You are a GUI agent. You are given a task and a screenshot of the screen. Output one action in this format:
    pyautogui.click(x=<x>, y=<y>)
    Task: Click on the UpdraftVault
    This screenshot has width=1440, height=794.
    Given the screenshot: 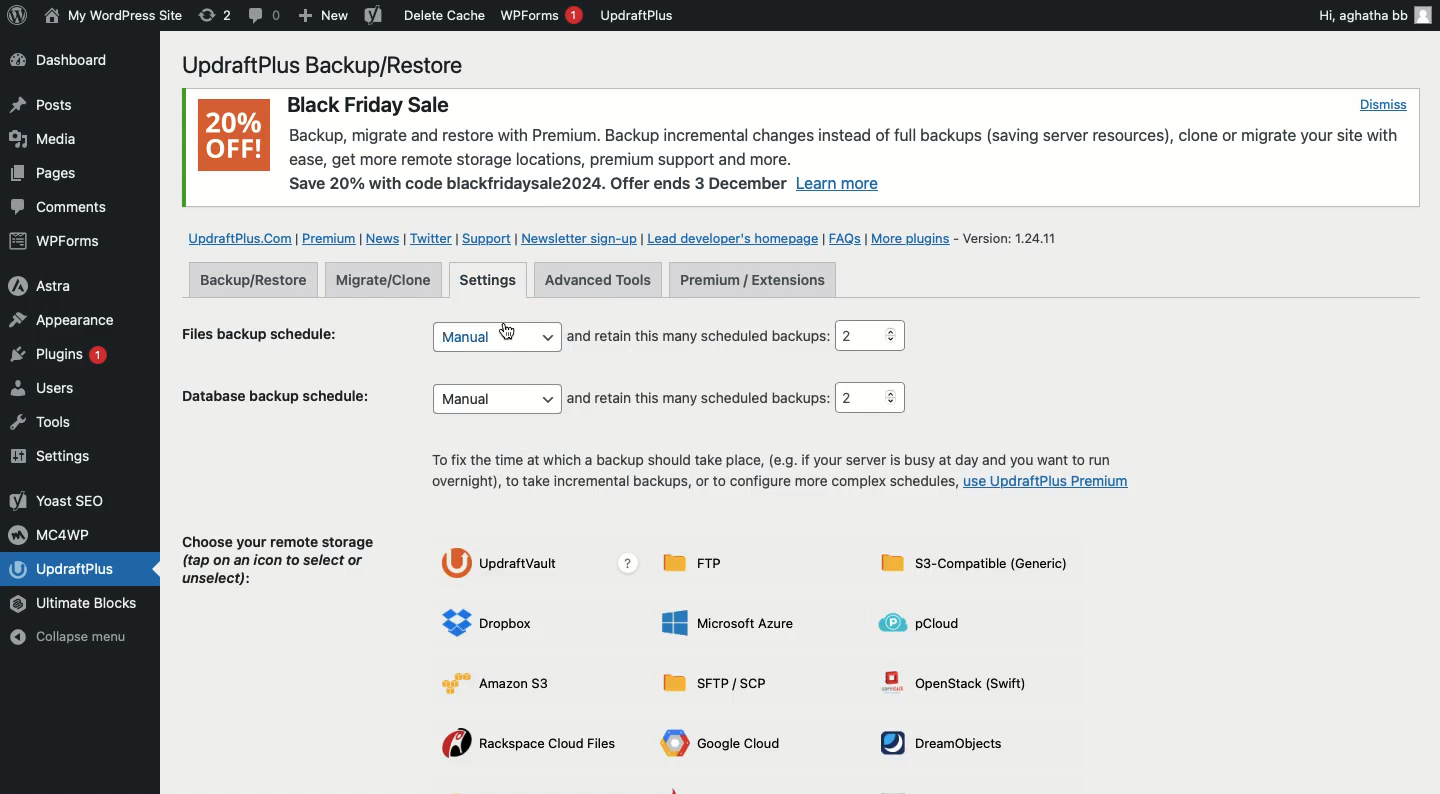 What is the action you would take?
    pyautogui.click(x=544, y=564)
    